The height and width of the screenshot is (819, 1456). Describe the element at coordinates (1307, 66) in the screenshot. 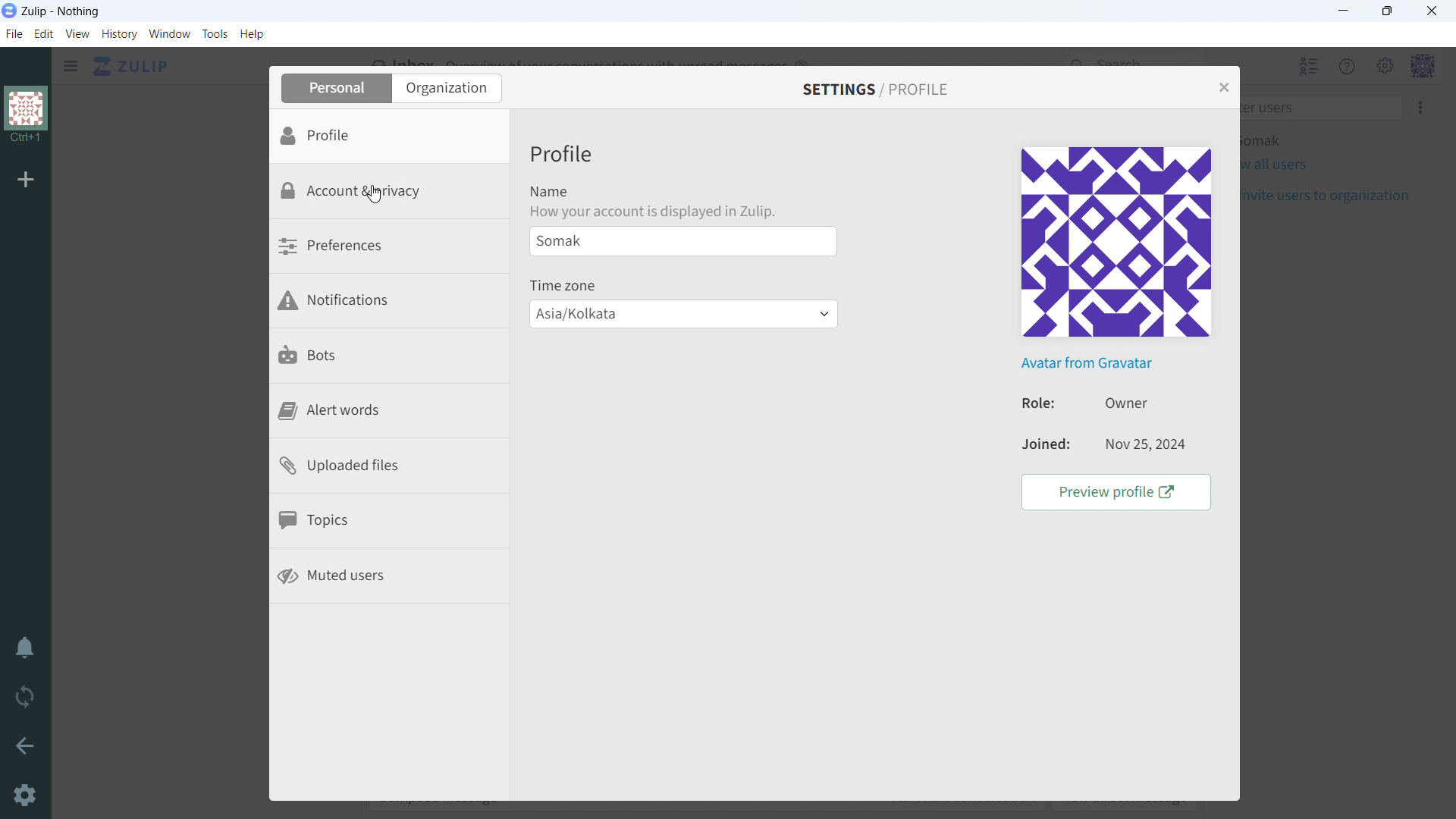

I see `hide all users` at that location.